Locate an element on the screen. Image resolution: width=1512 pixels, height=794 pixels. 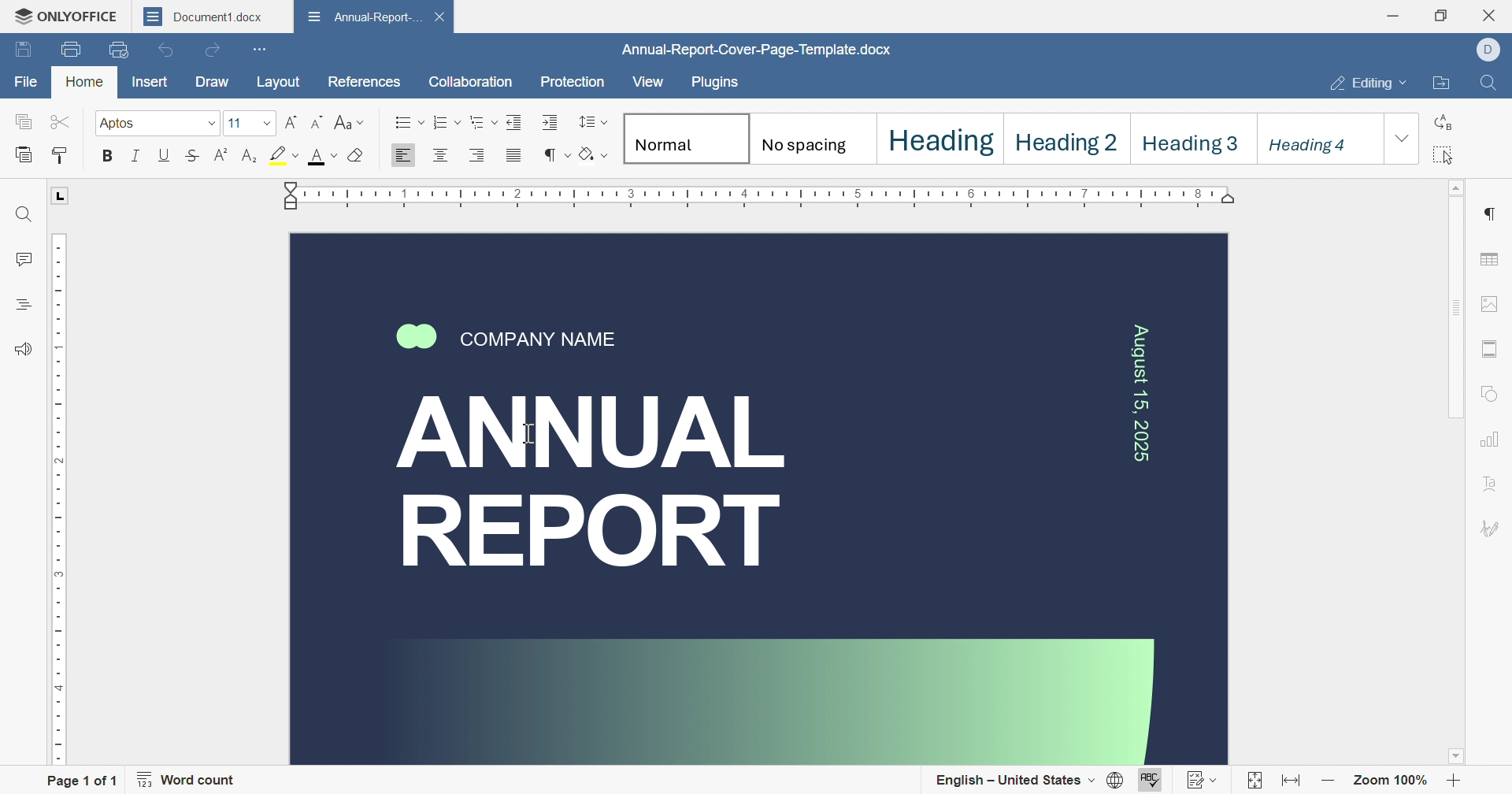
track changes is located at coordinates (1201, 781).